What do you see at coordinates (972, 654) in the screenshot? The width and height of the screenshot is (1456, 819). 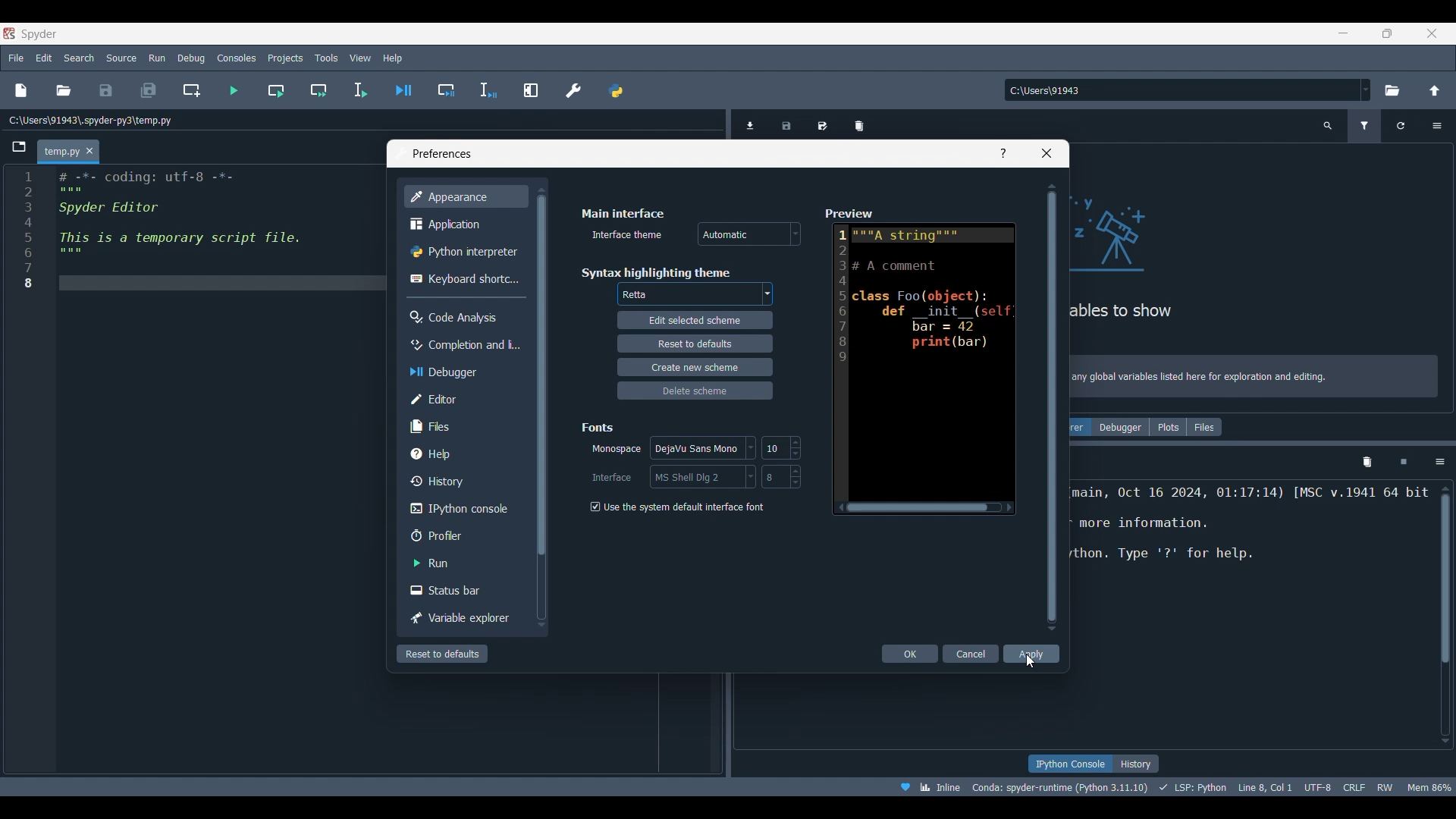 I see `Cancel ` at bounding box center [972, 654].